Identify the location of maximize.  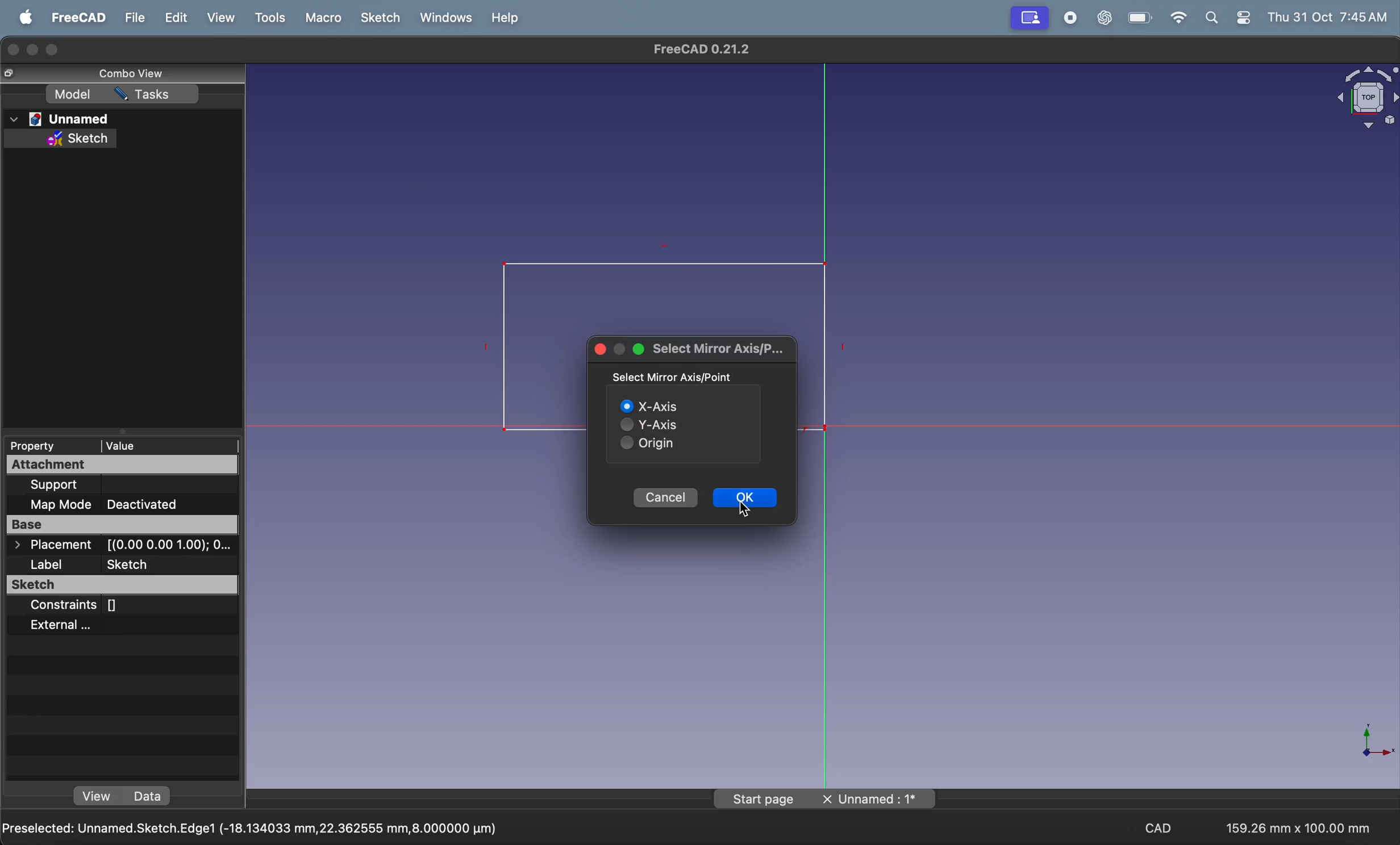
(636, 348).